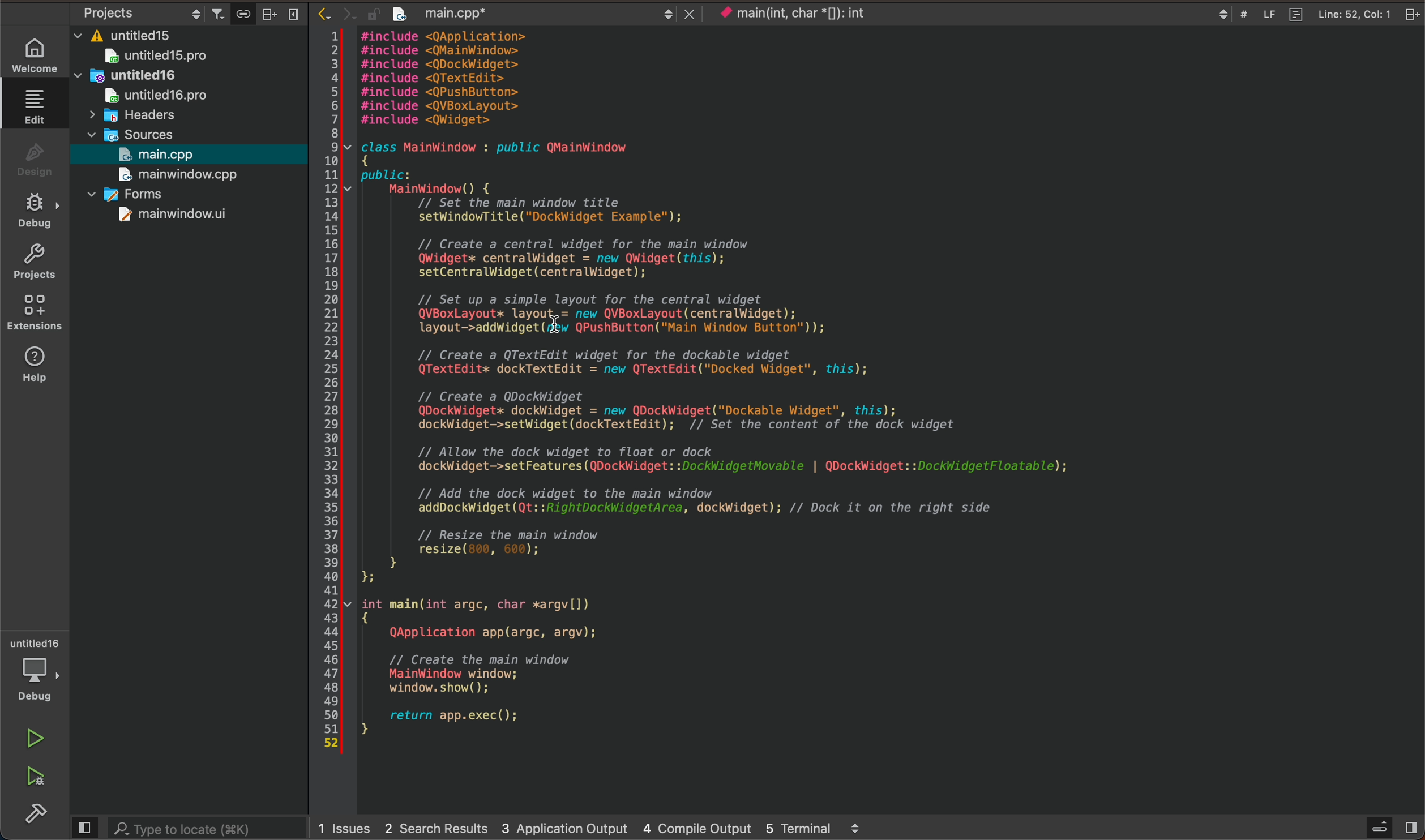 This screenshot has height=840, width=1425. What do you see at coordinates (203, 829) in the screenshot?
I see `search` at bounding box center [203, 829].